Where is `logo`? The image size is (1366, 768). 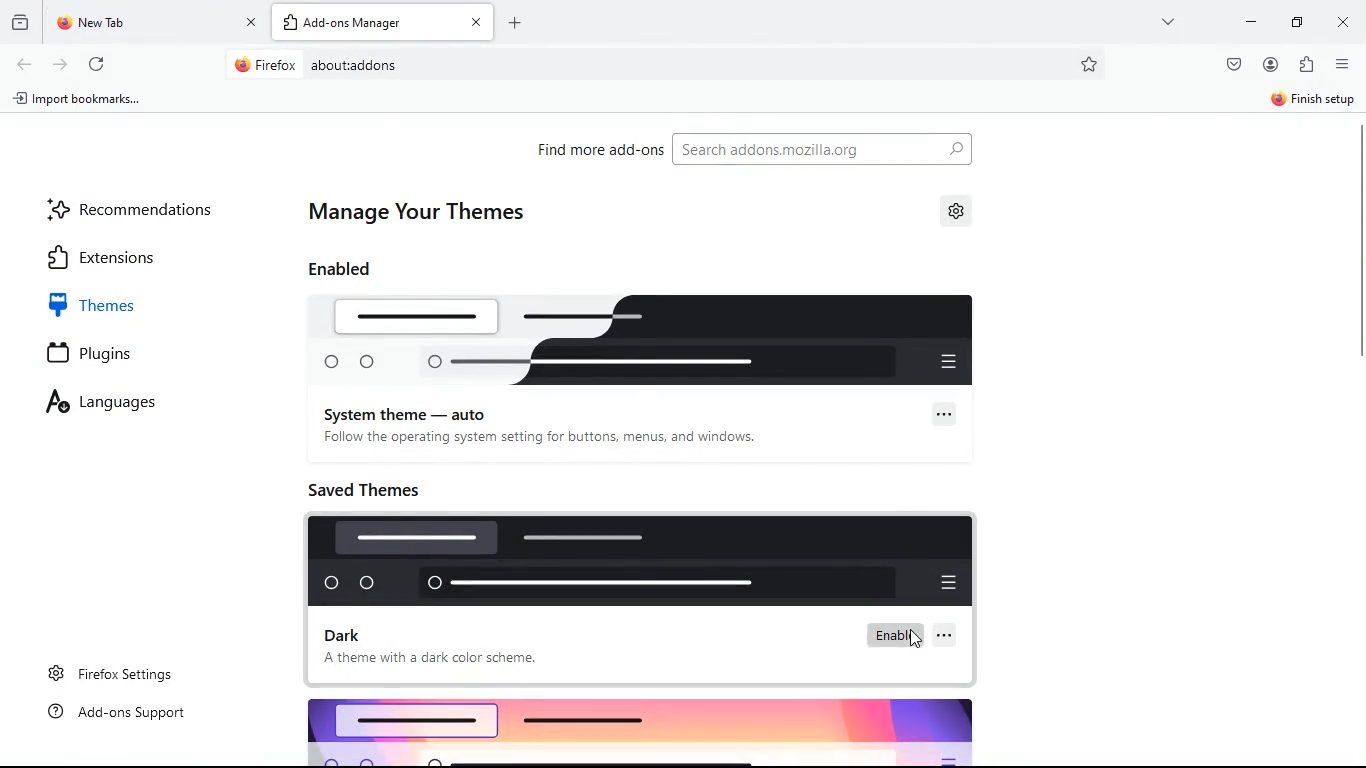
logo is located at coordinates (640, 562).